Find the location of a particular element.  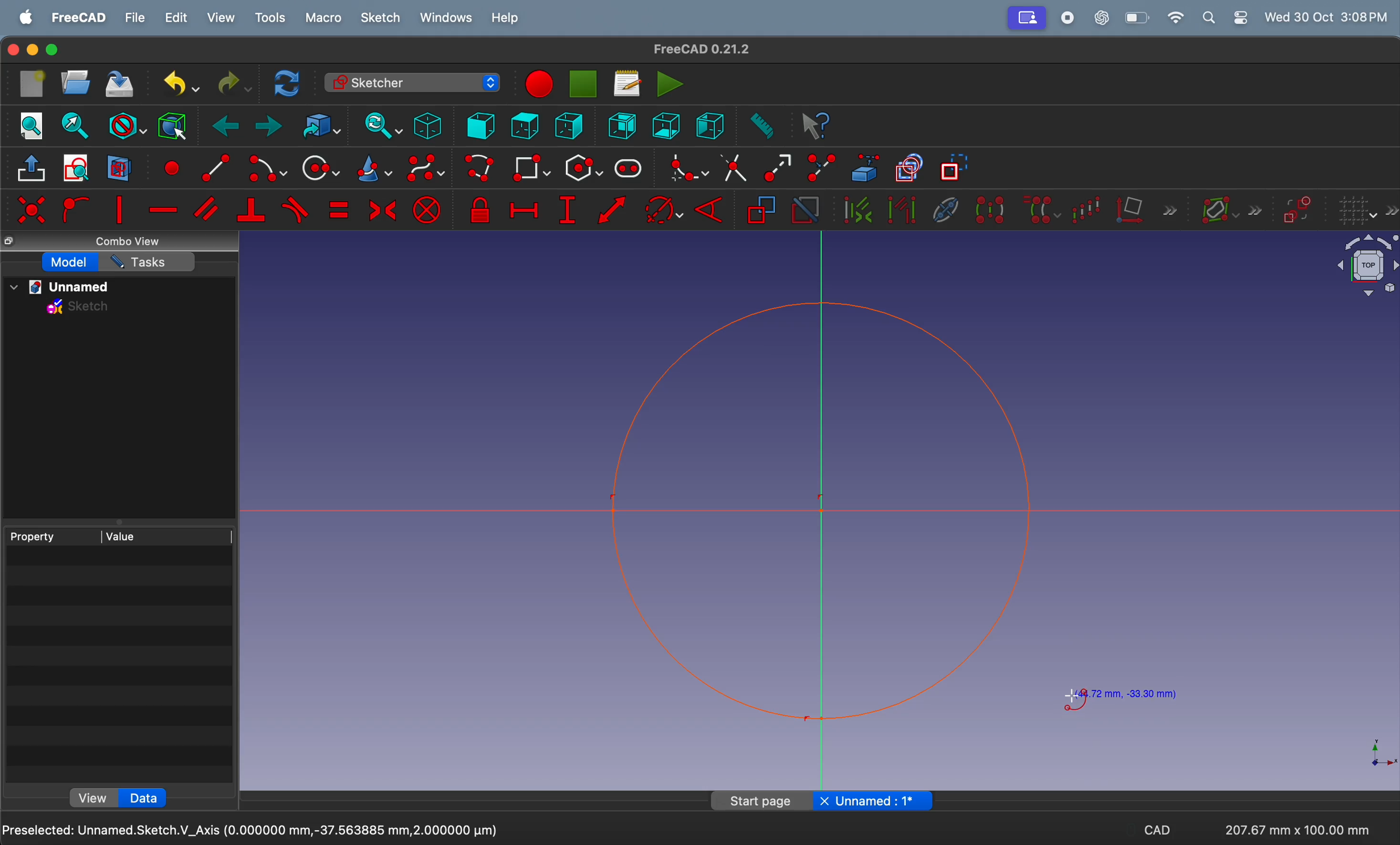

fit all is located at coordinates (32, 124).